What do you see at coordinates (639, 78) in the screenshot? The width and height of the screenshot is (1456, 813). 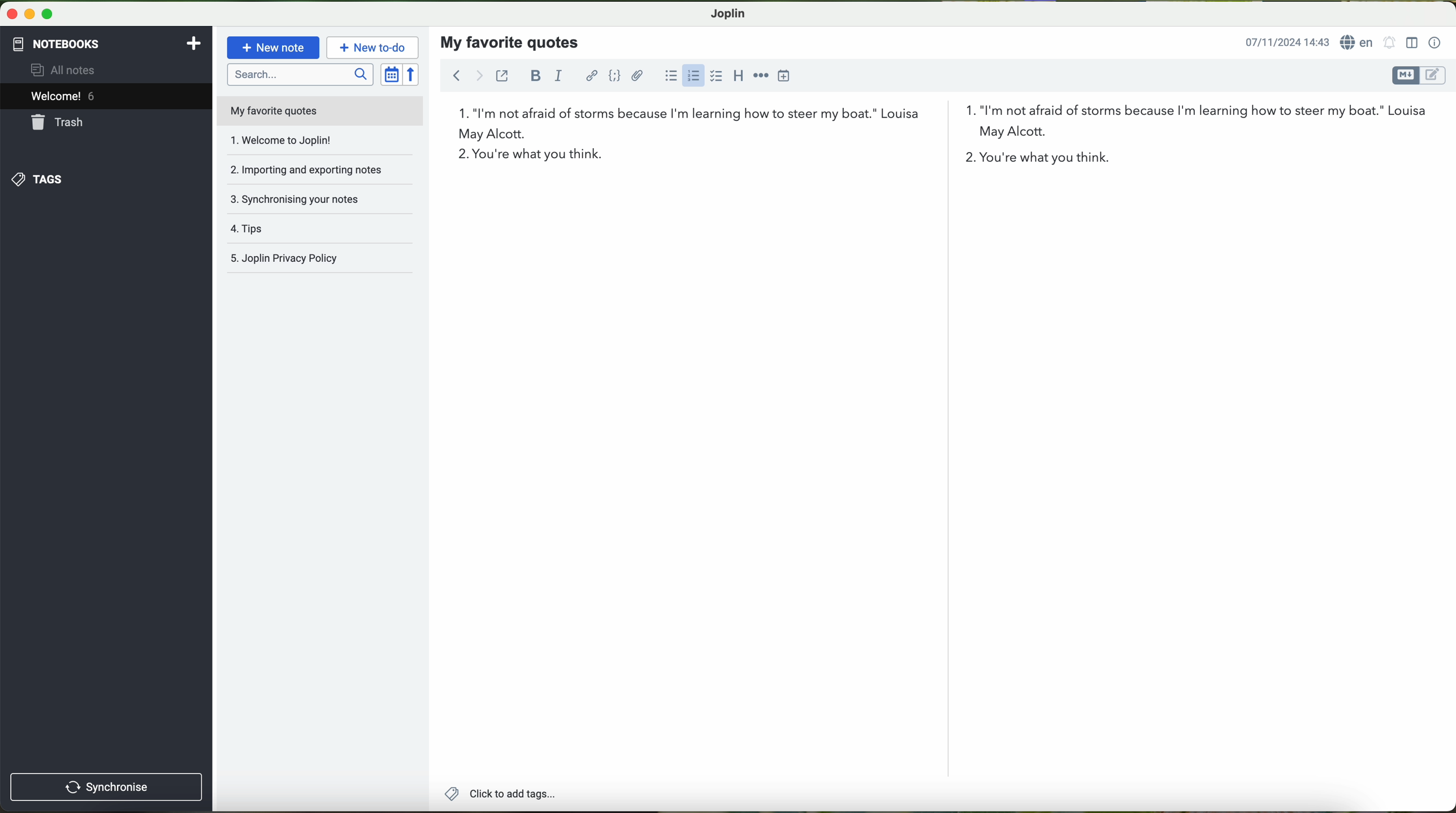 I see `attach files` at bounding box center [639, 78].